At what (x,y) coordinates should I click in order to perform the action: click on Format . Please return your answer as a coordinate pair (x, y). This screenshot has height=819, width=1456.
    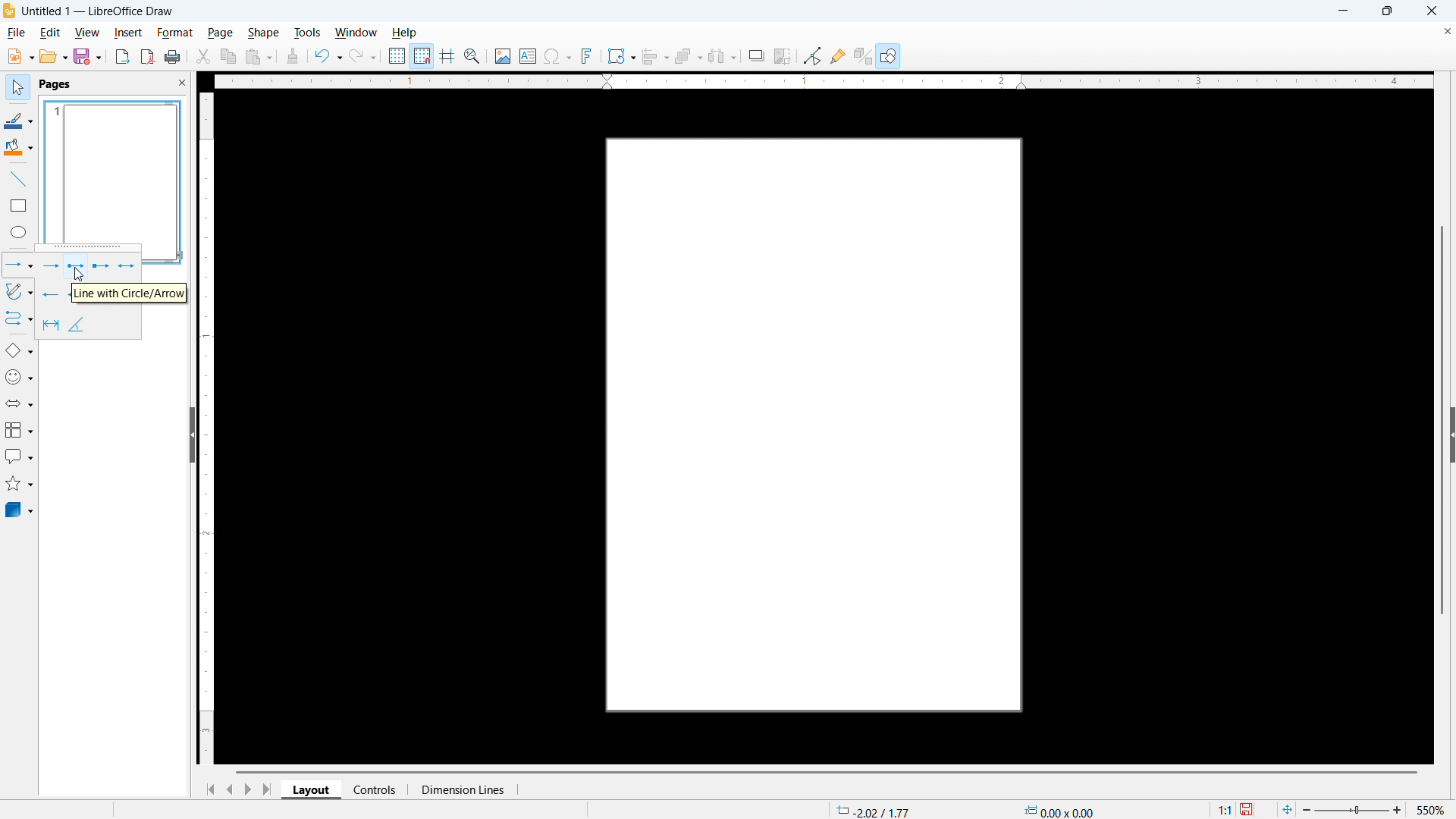
    Looking at the image, I should click on (174, 32).